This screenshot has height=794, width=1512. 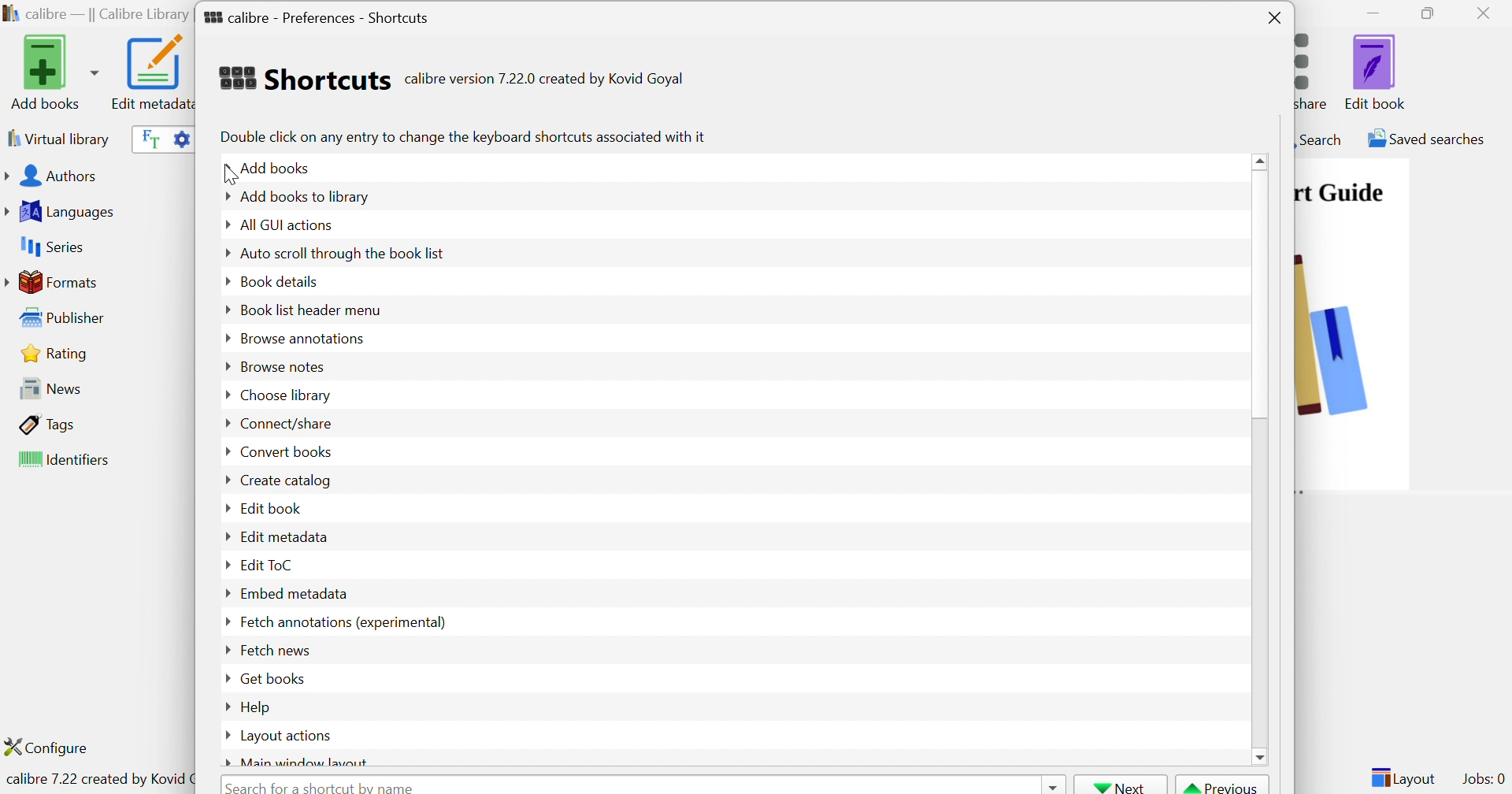 I want to click on Next, so click(x=1121, y=785).